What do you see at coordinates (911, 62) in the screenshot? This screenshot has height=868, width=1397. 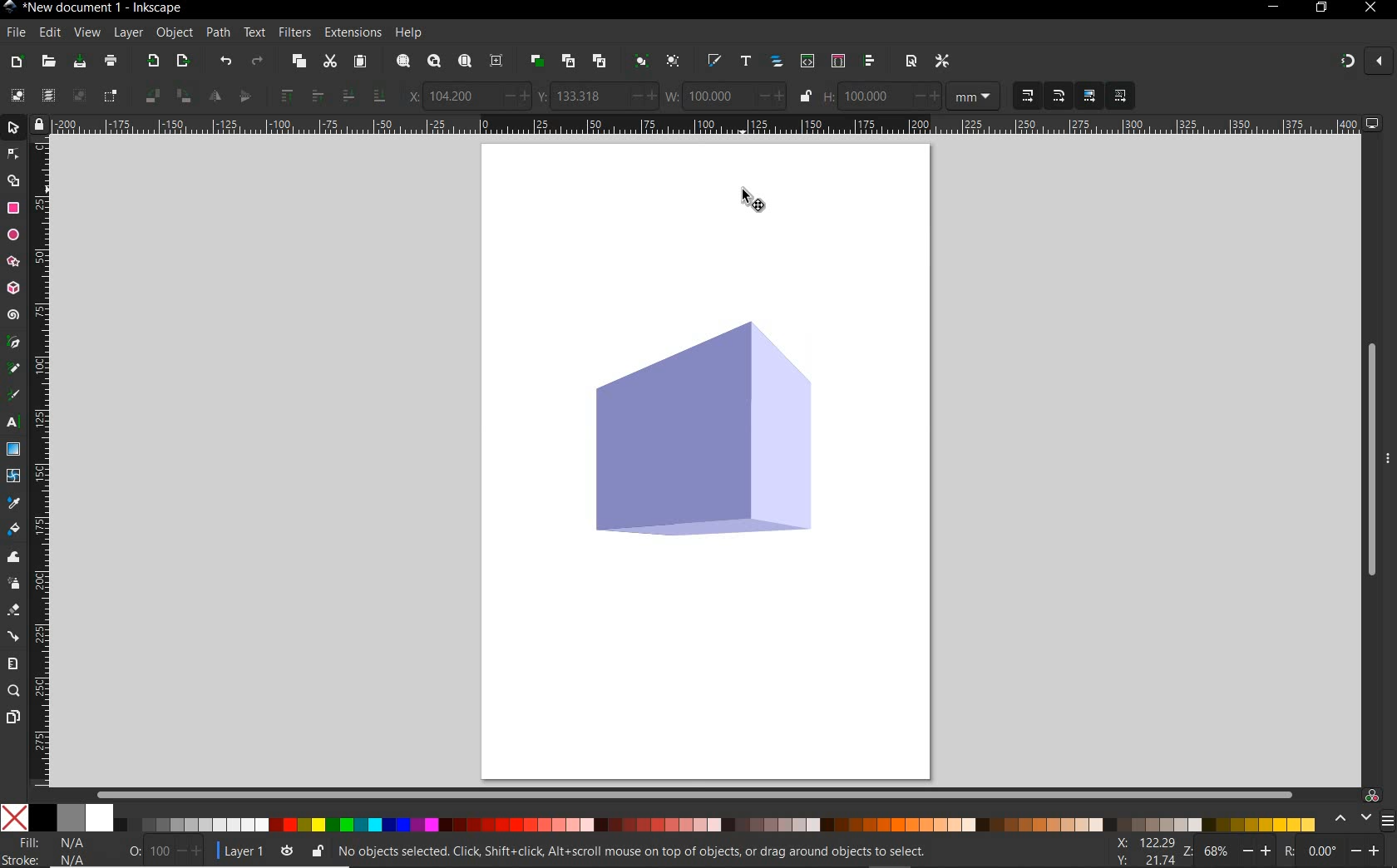 I see `open document properties` at bounding box center [911, 62].